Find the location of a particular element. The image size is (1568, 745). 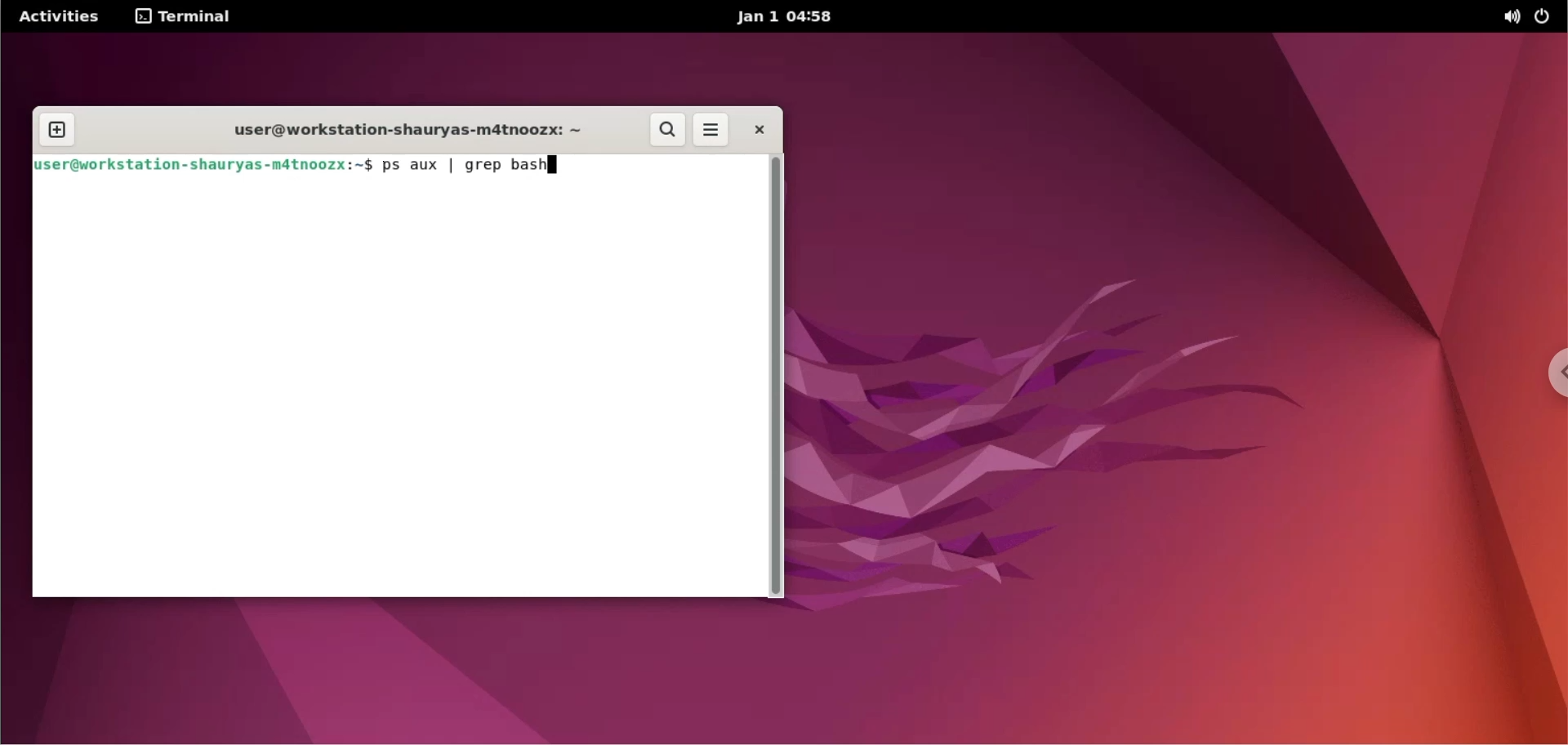

power options is located at coordinates (1547, 16).